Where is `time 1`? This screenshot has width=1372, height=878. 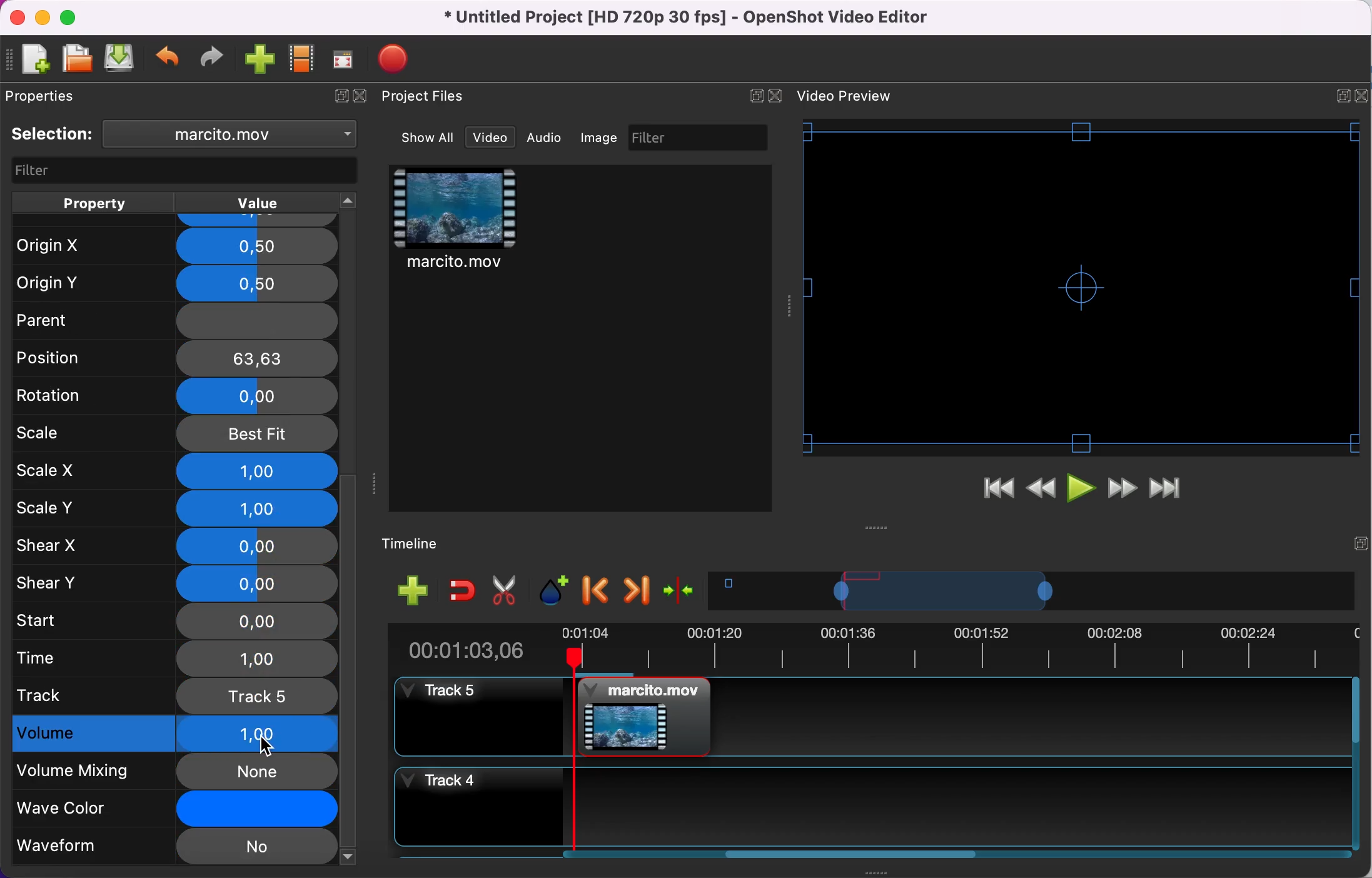 time 1 is located at coordinates (178, 660).